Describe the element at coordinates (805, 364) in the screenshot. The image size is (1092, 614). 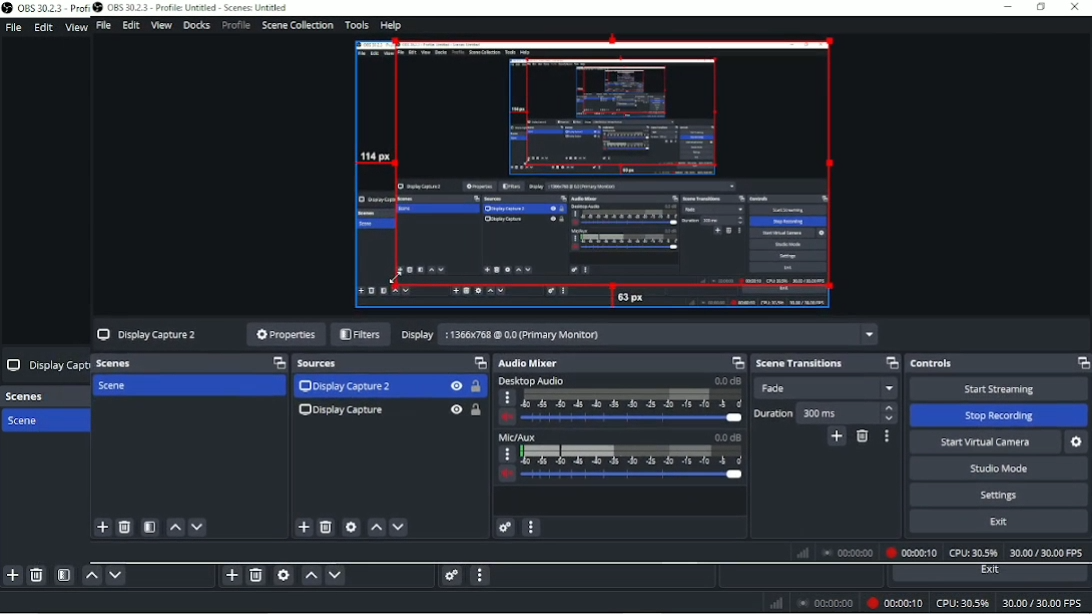
I see `Scene transitions` at that location.